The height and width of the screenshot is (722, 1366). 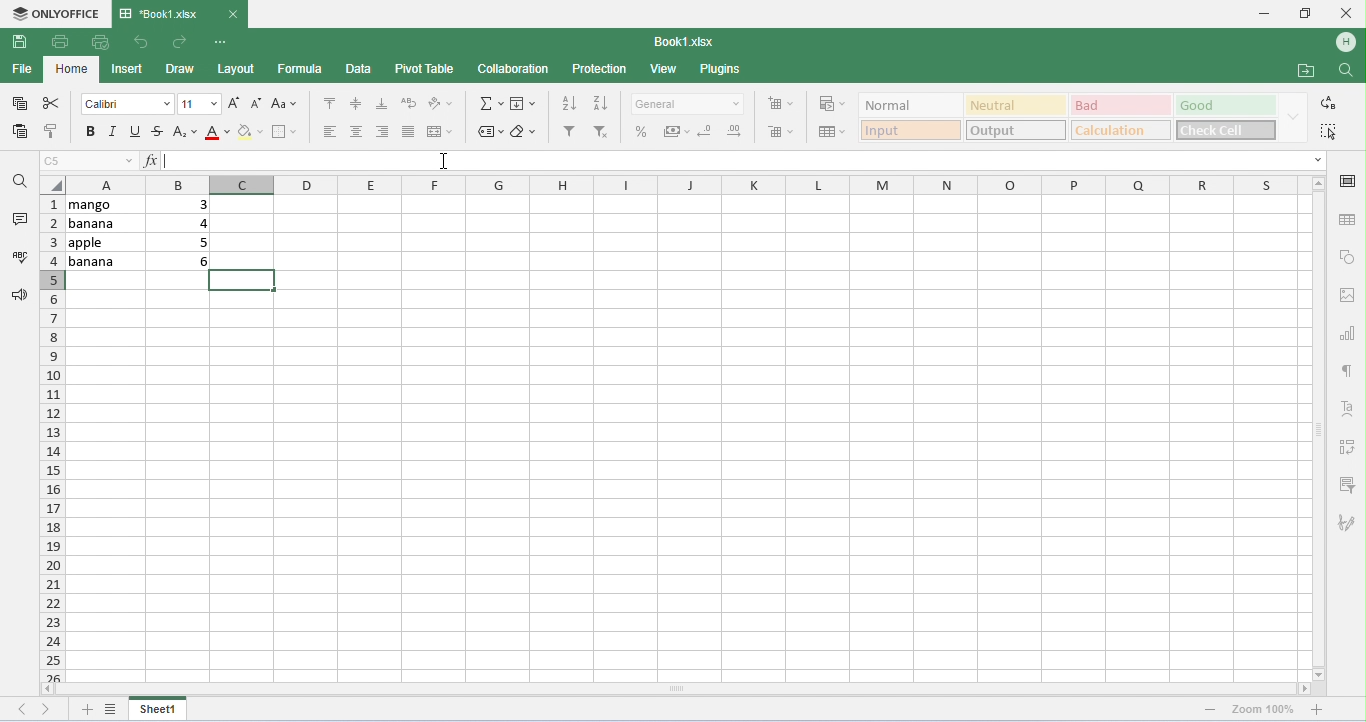 What do you see at coordinates (686, 42) in the screenshot?
I see `file name` at bounding box center [686, 42].